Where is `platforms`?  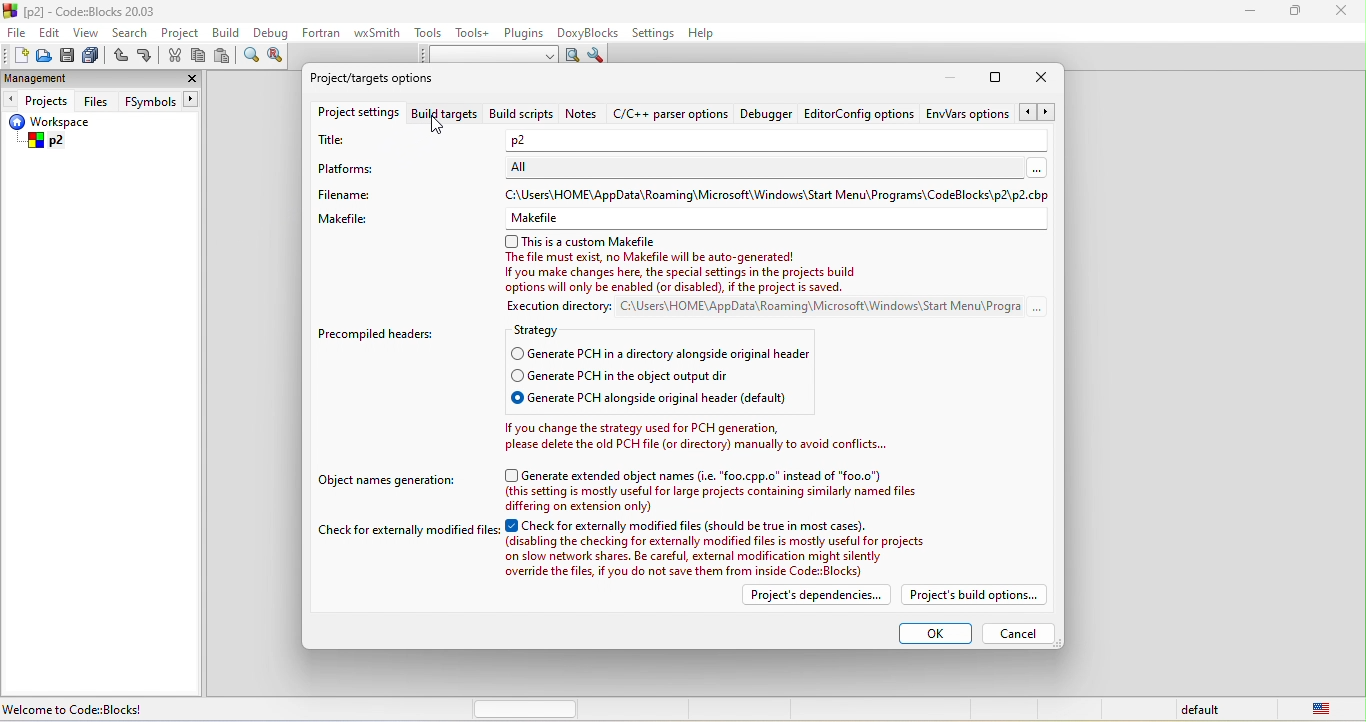 platforms is located at coordinates (363, 169).